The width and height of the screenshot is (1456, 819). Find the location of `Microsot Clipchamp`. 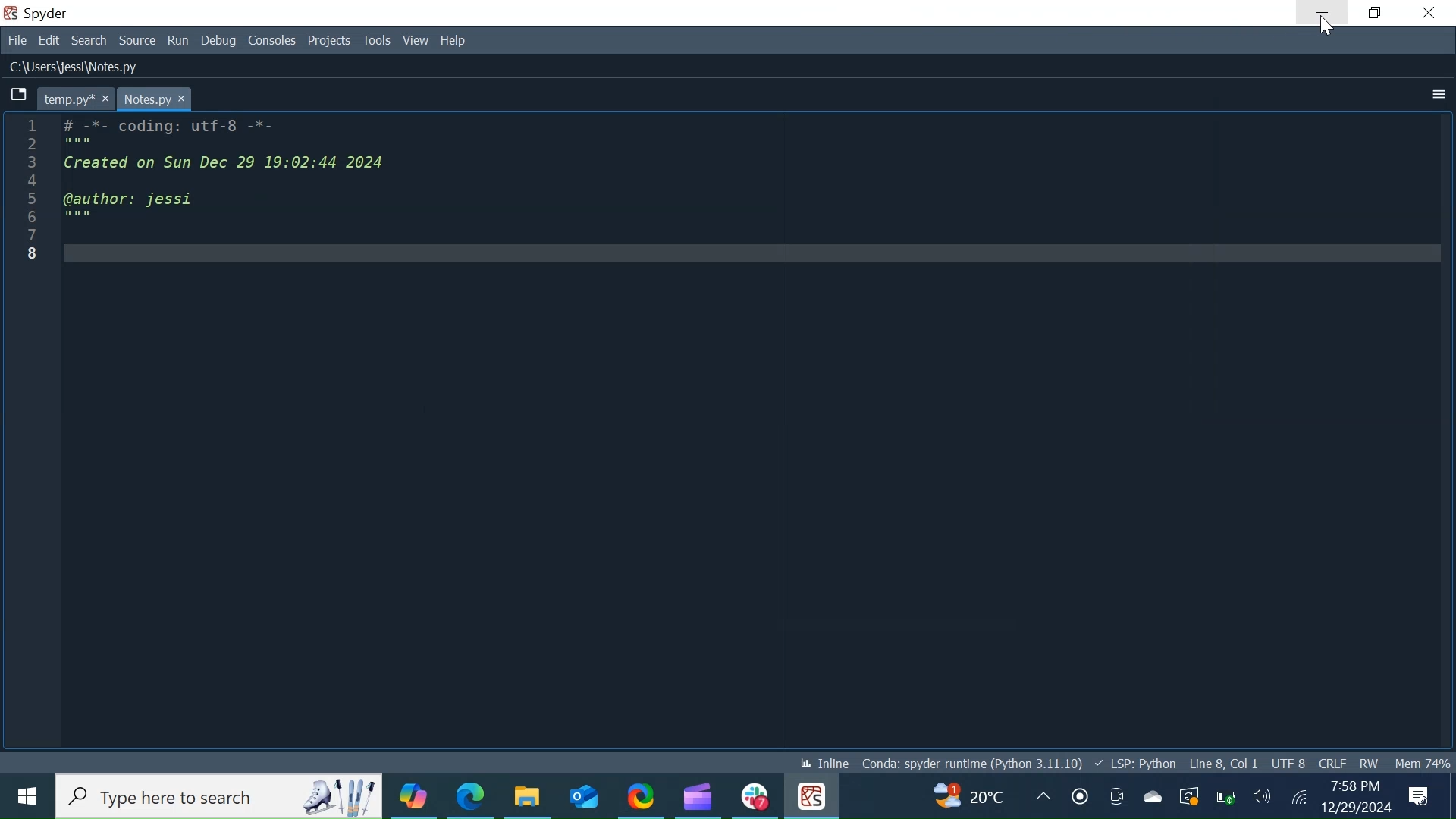

Microsot Clipchamp is located at coordinates (698, 795).